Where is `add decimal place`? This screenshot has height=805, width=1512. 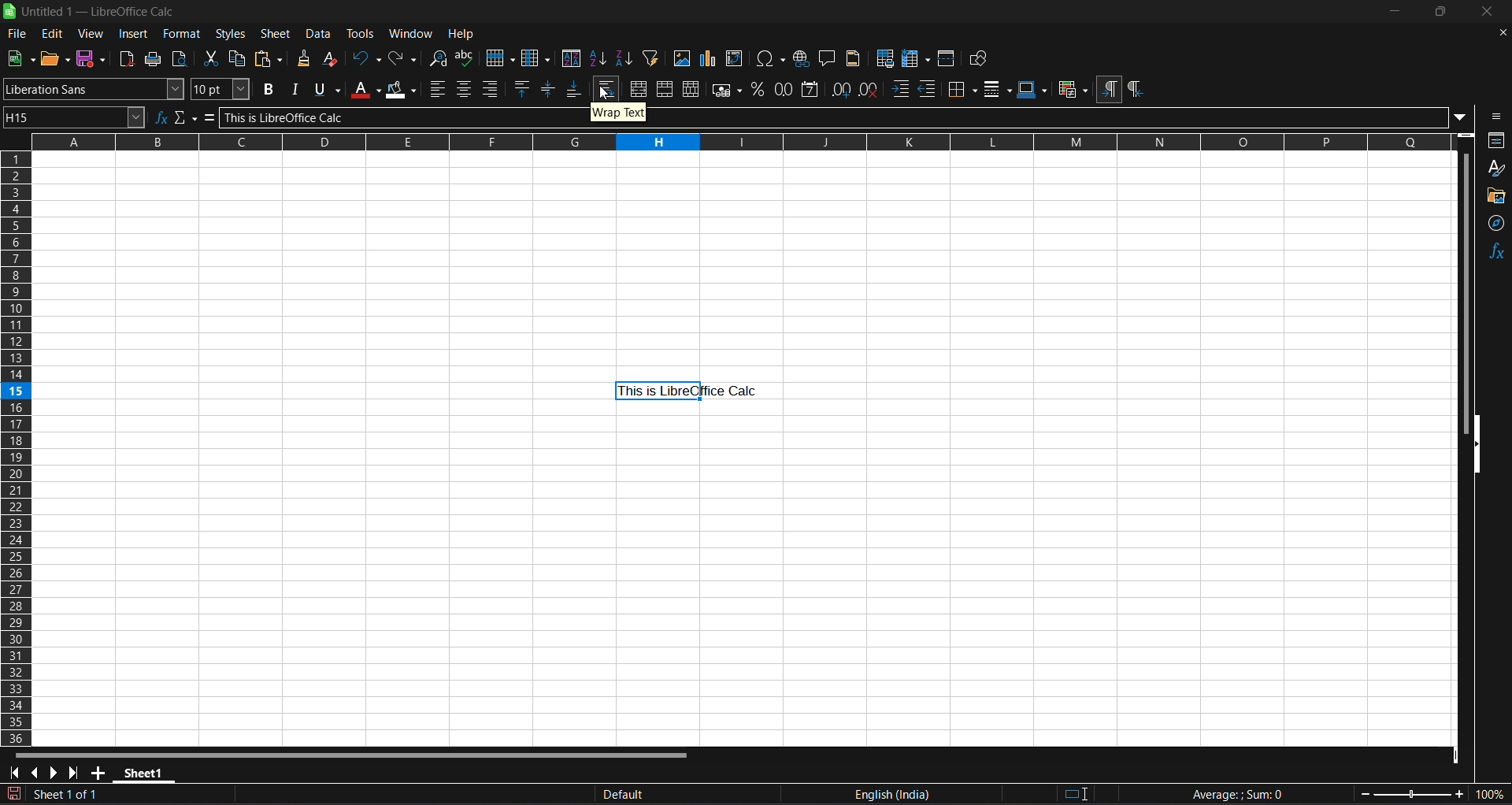
add decimal place is located at coordinates (841, 90).